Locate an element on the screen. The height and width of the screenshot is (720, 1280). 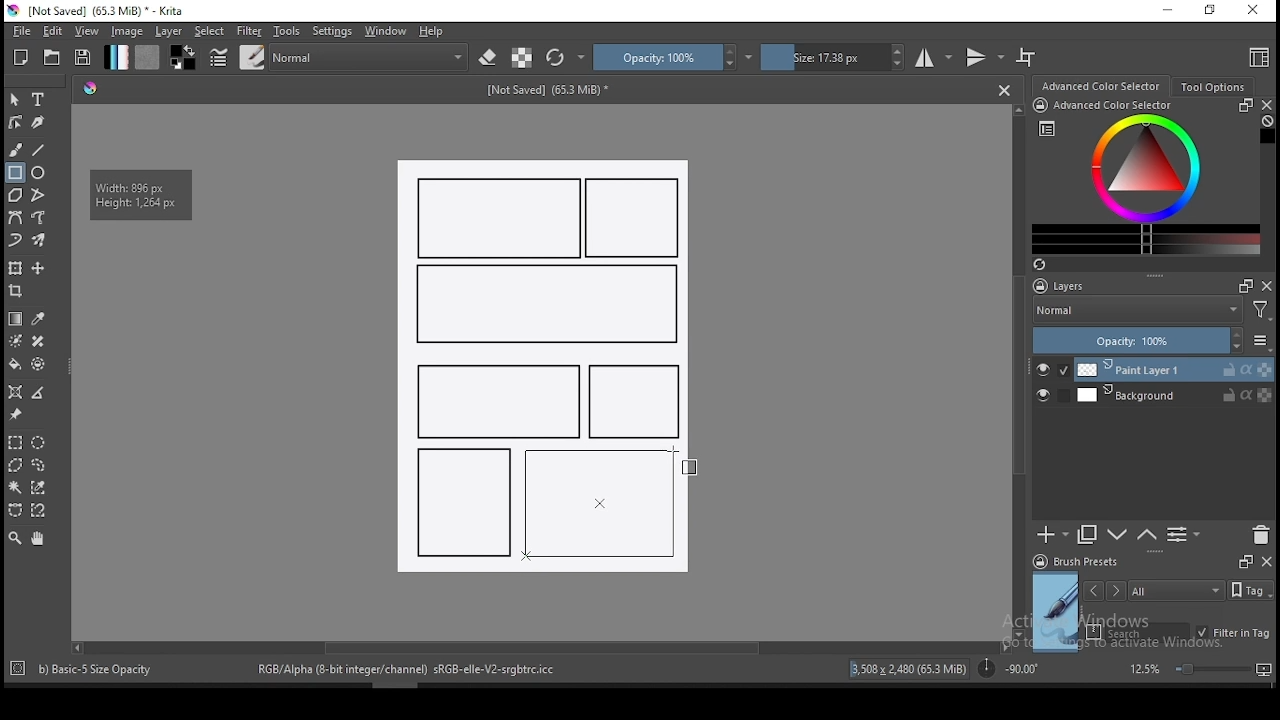
assistant tool is located at coordinates (15, 392).